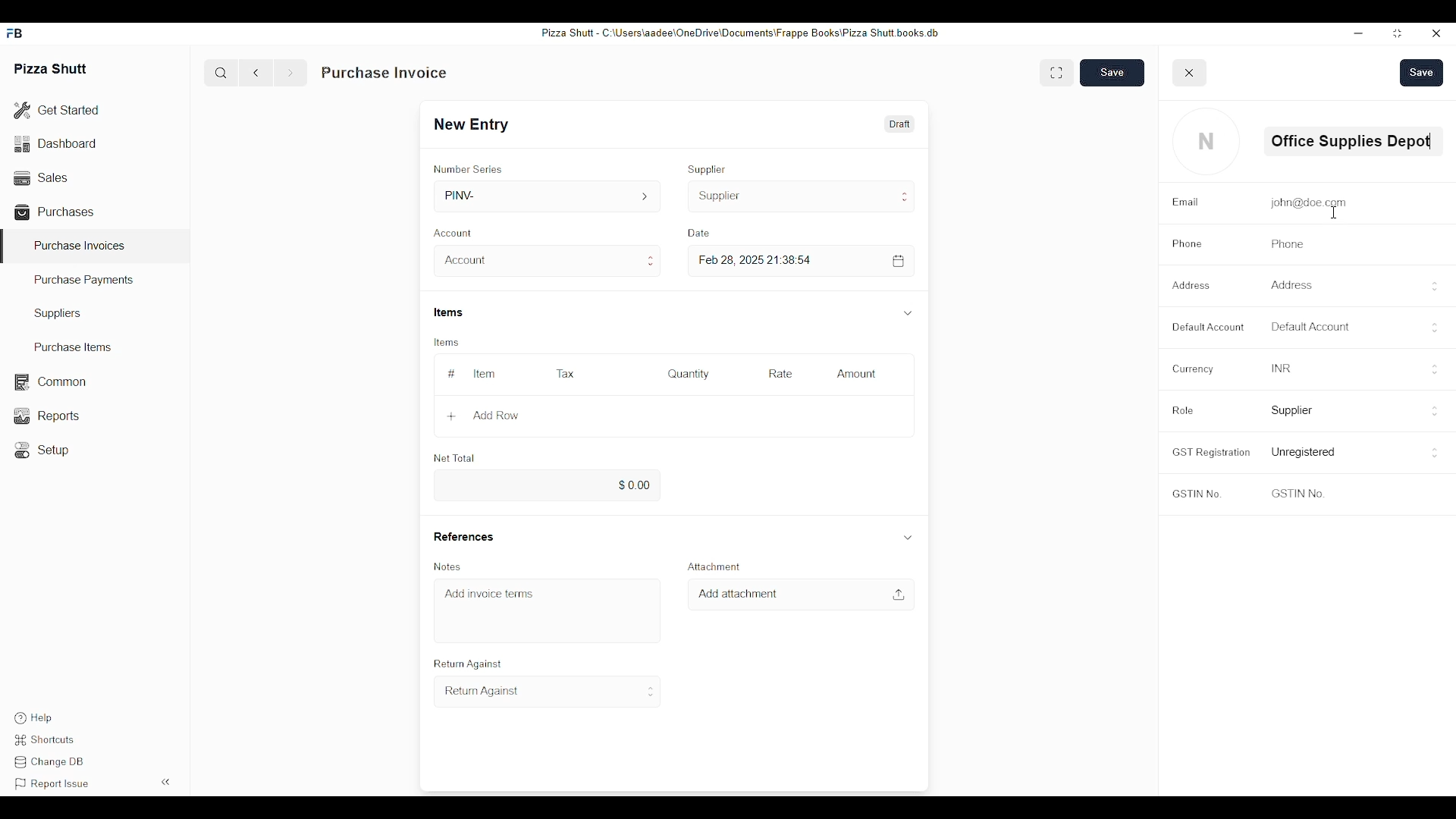 The width and height of the screenshot is (1456, 819). I want to click on Report issue, so click(52, 784).